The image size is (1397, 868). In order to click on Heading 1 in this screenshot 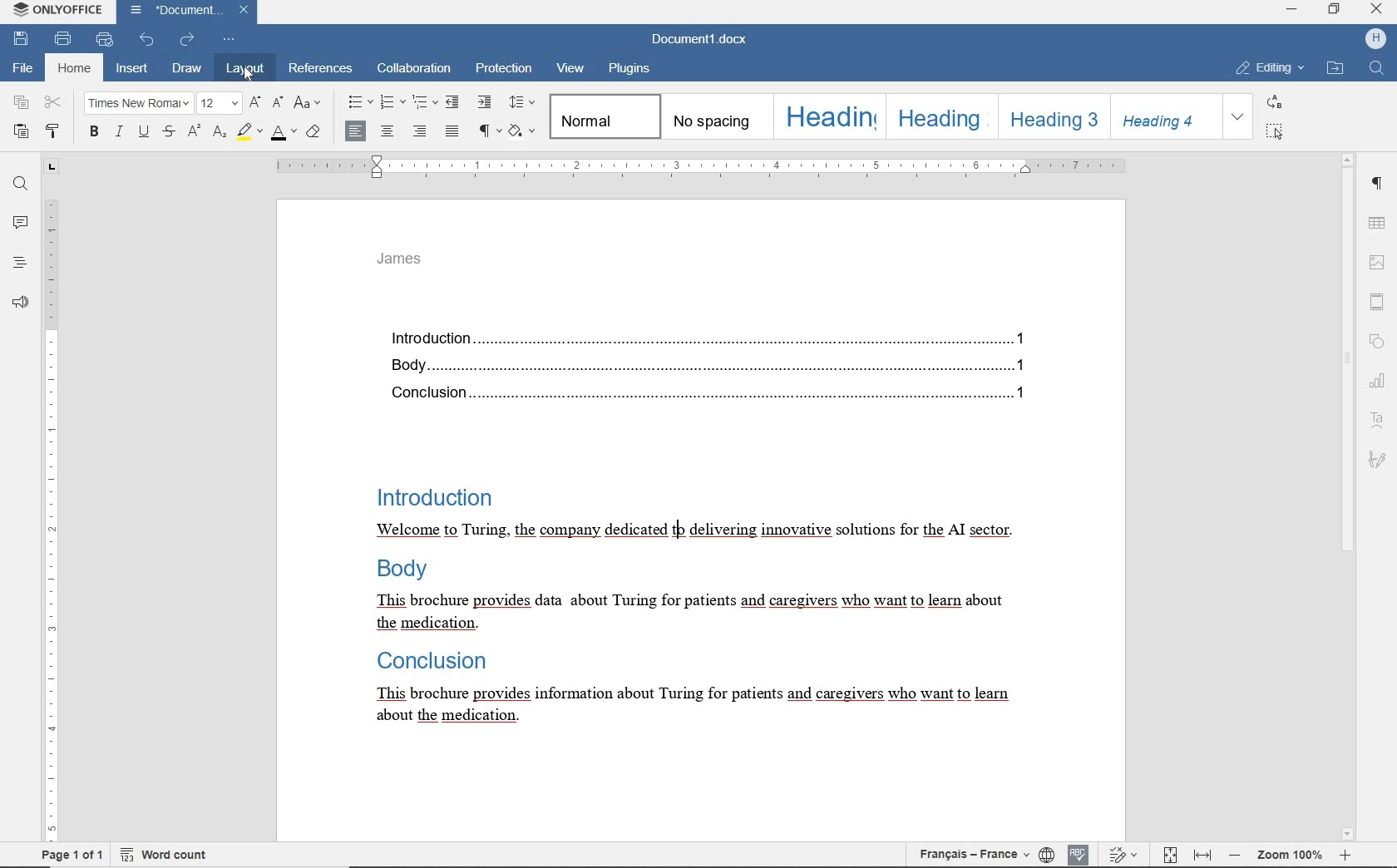, I will do `click(827, 113)`.